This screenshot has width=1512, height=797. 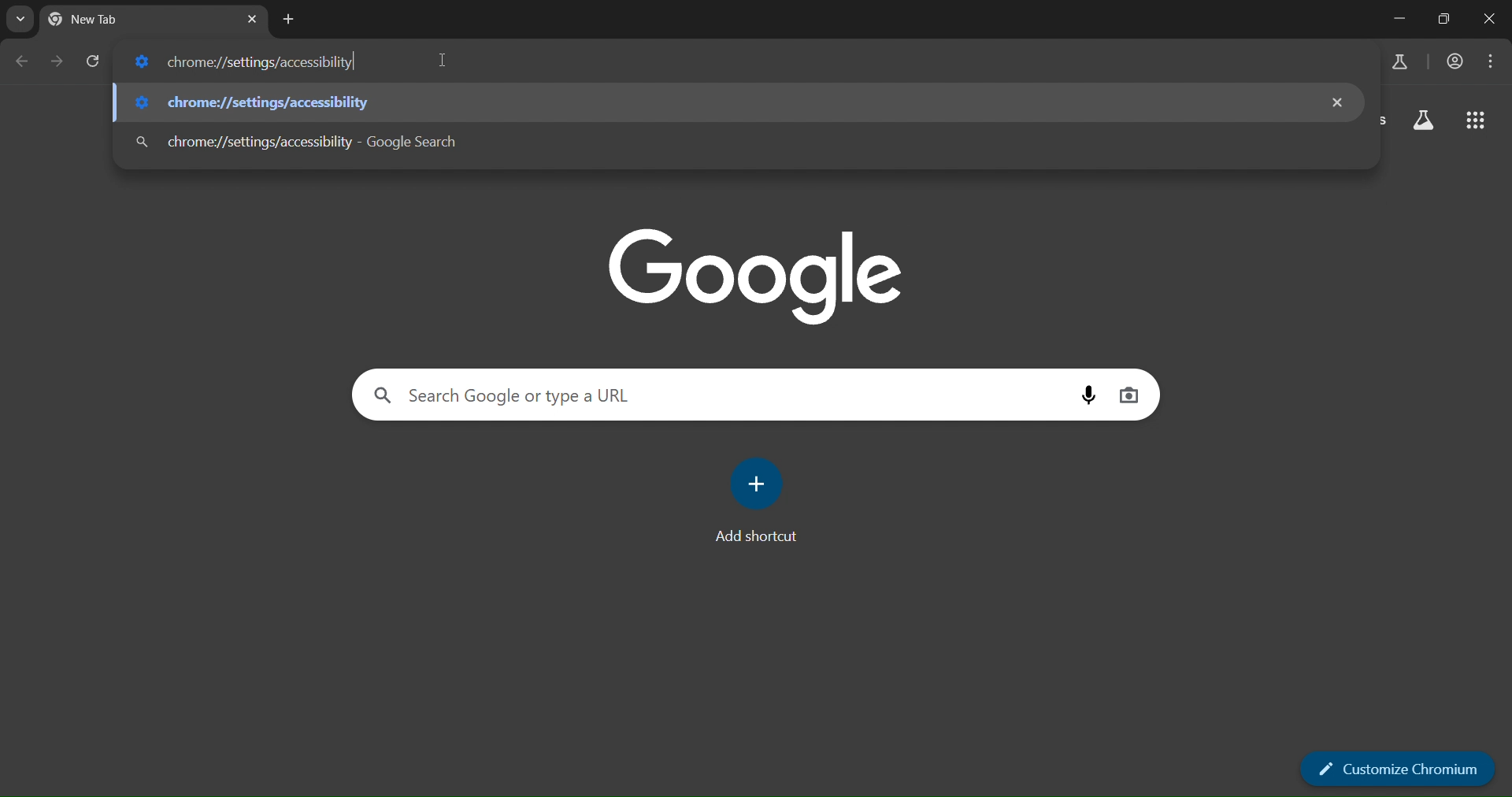 What do you see at coordinates (308, 143) in the screenshot?
I see `chrome://settings/accessibility` at bounding box center [308, 143].